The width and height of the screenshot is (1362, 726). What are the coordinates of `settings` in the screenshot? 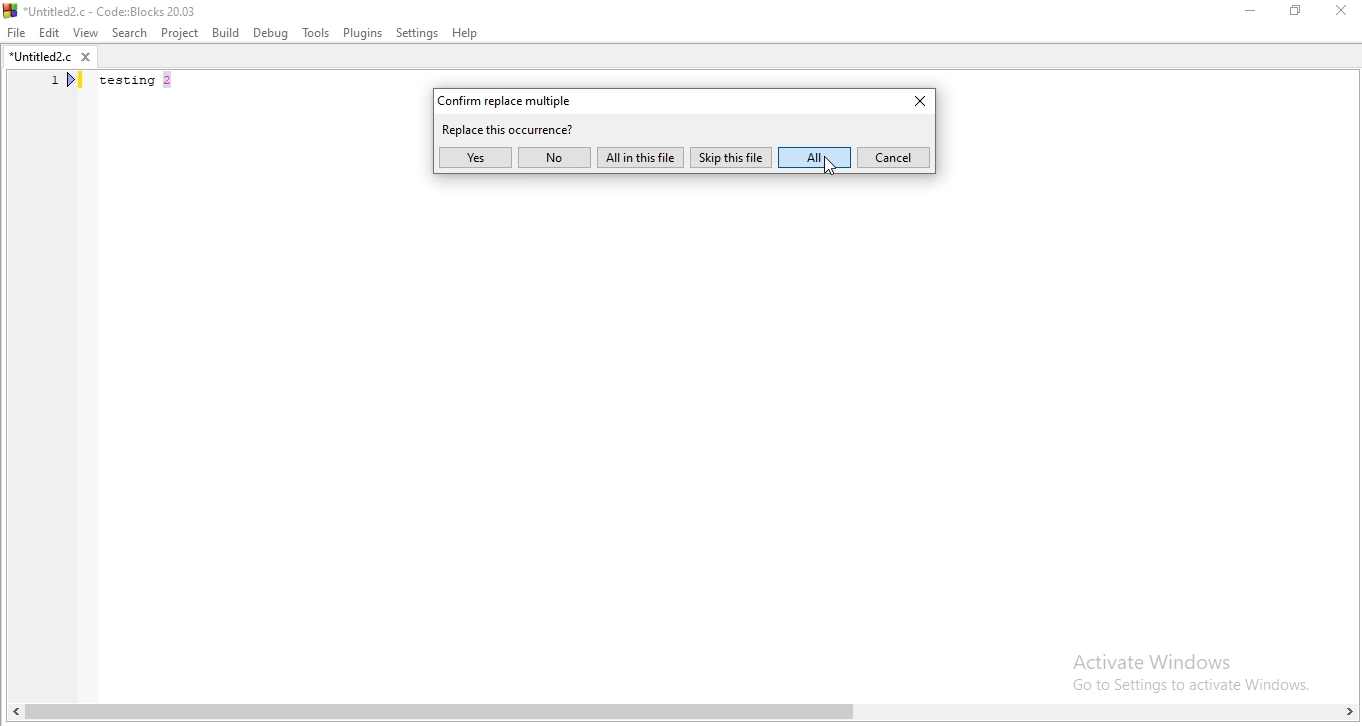 It's located at (418, 33).